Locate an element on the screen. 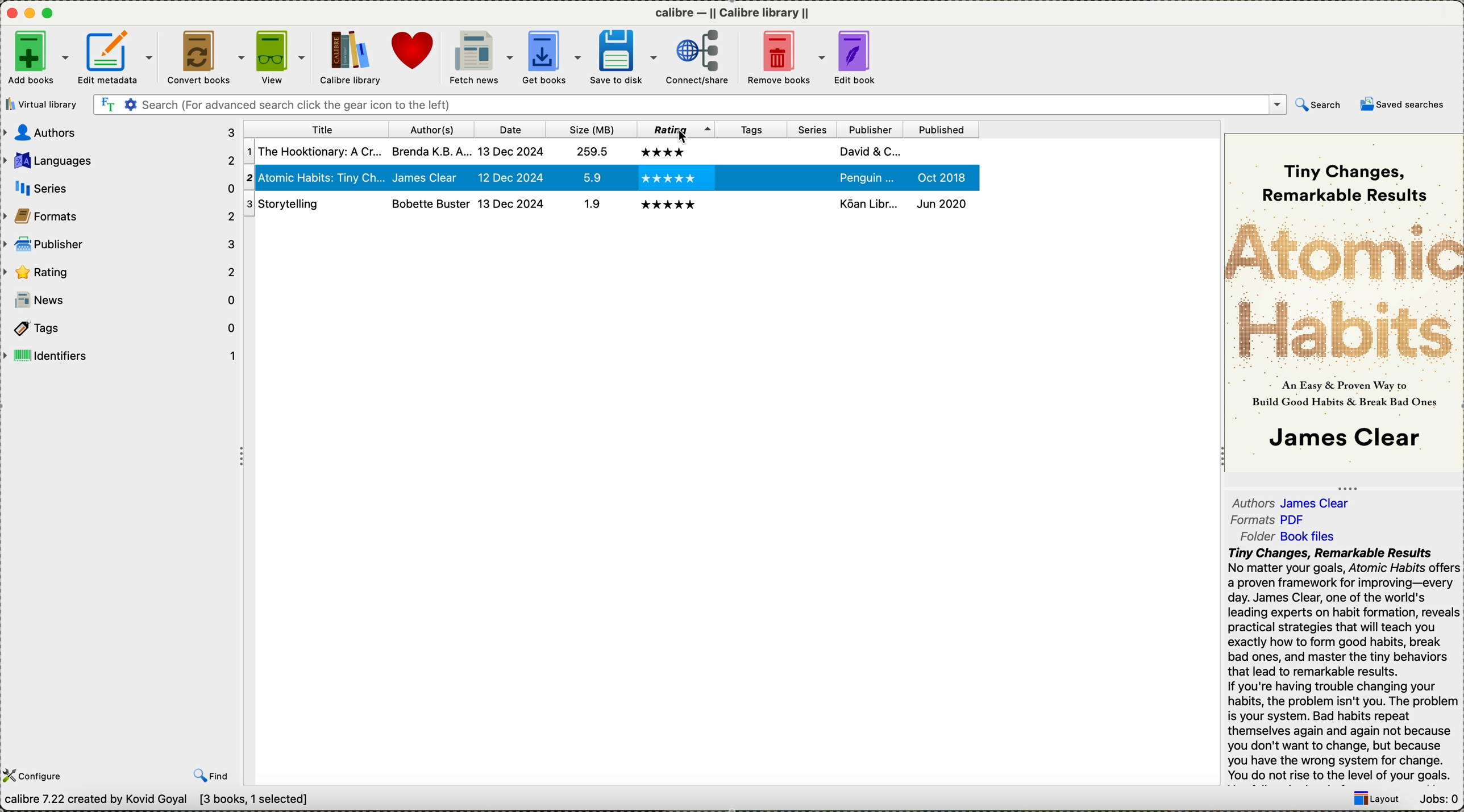  news is located at coordinates (121, 300).